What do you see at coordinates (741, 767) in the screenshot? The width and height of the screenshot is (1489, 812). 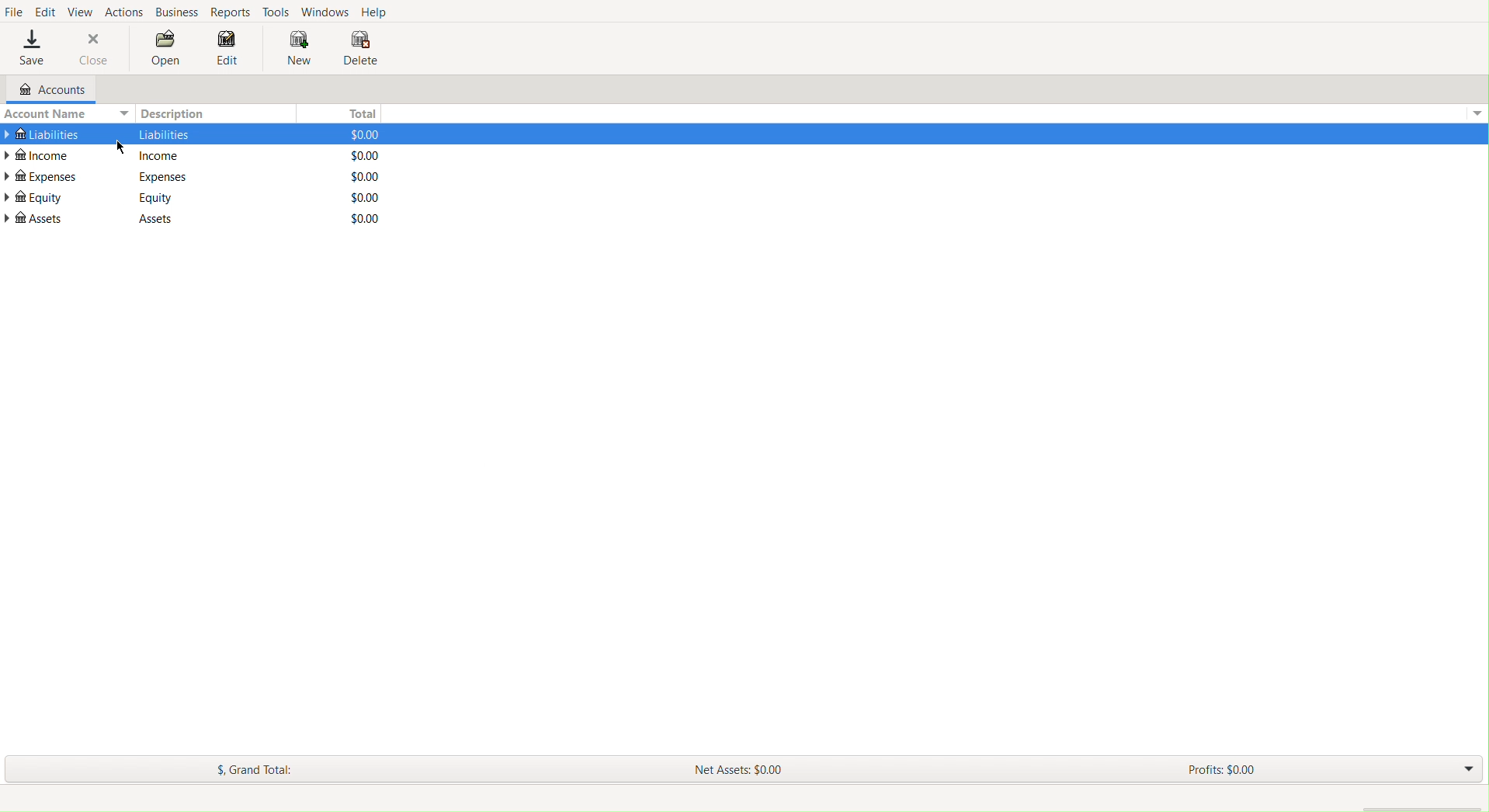 I see `Net Assets` at bounding box center [741, 767].